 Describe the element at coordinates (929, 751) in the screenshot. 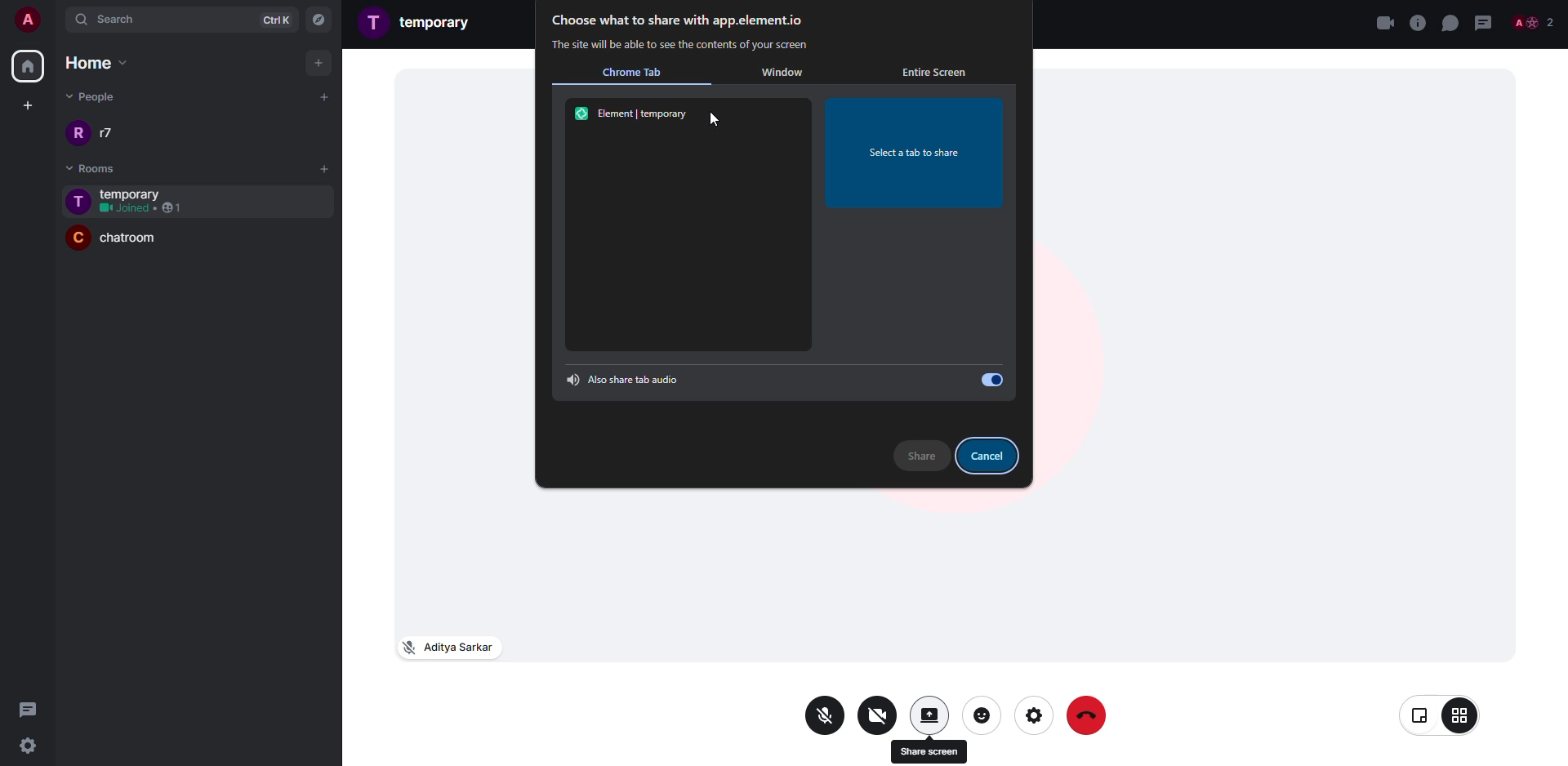

I see `share screen` at that location.